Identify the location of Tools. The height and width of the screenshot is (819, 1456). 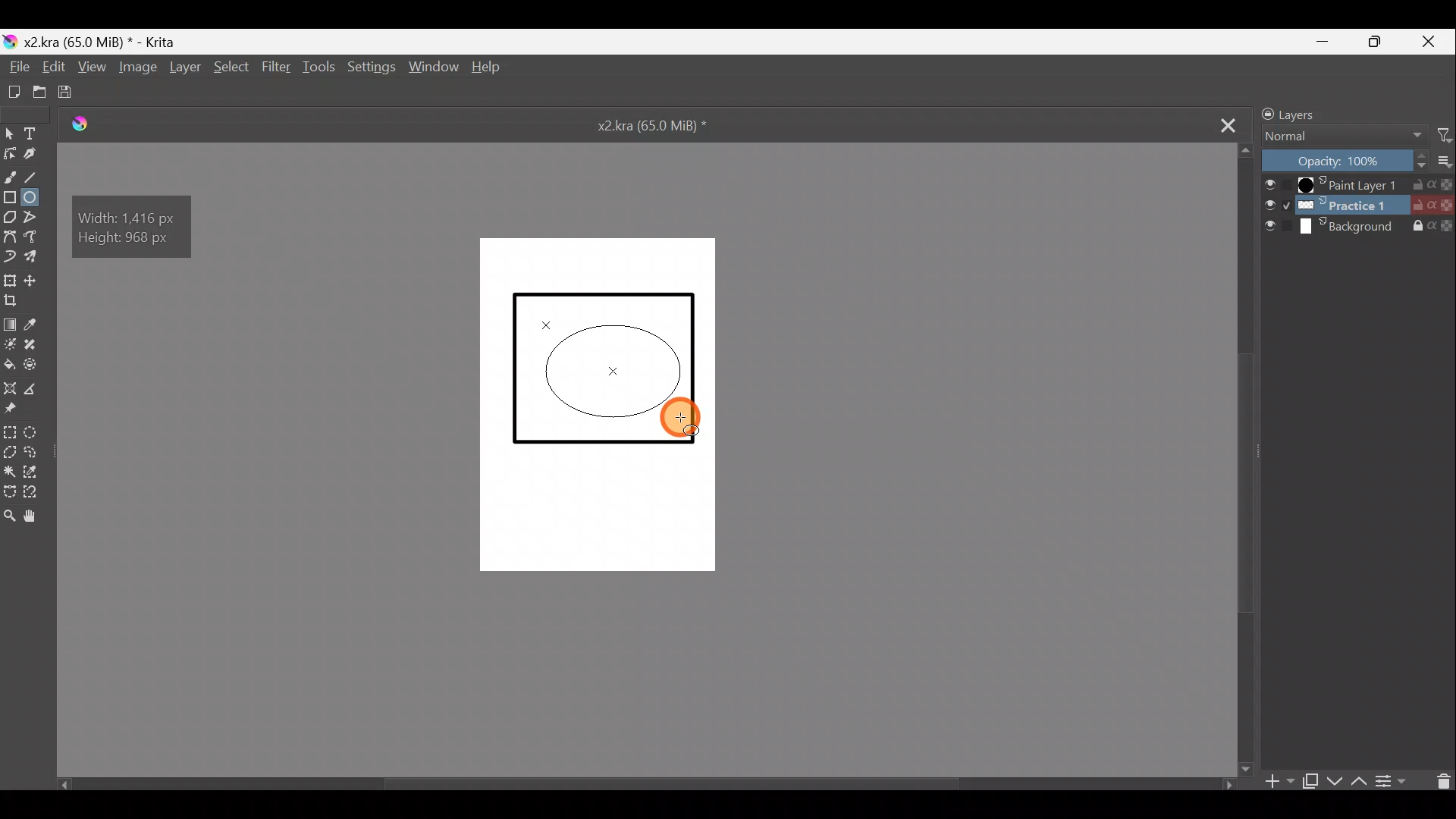
(322, 68).